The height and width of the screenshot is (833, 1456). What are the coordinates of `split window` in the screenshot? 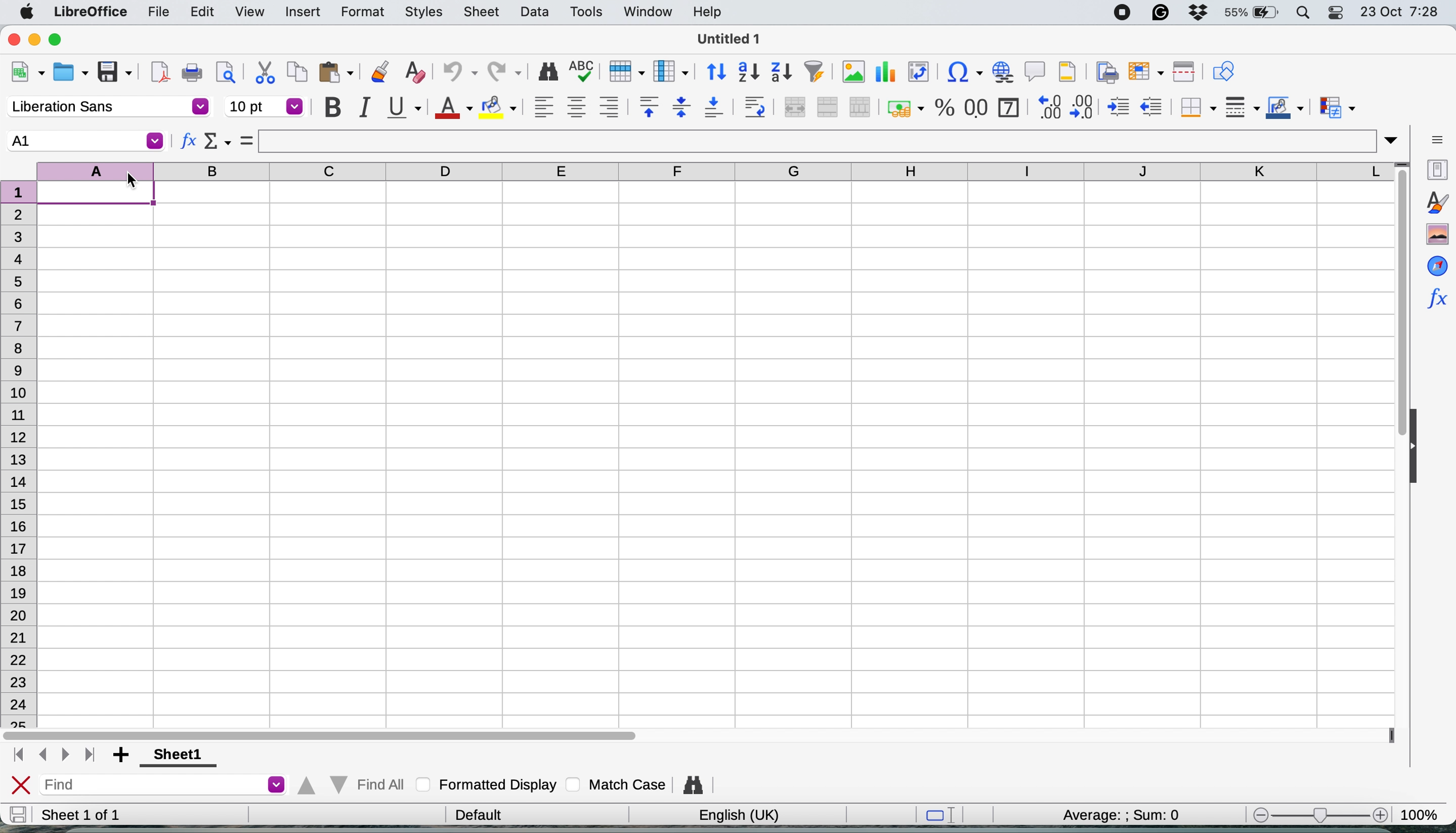 It's located at (1186, 72).